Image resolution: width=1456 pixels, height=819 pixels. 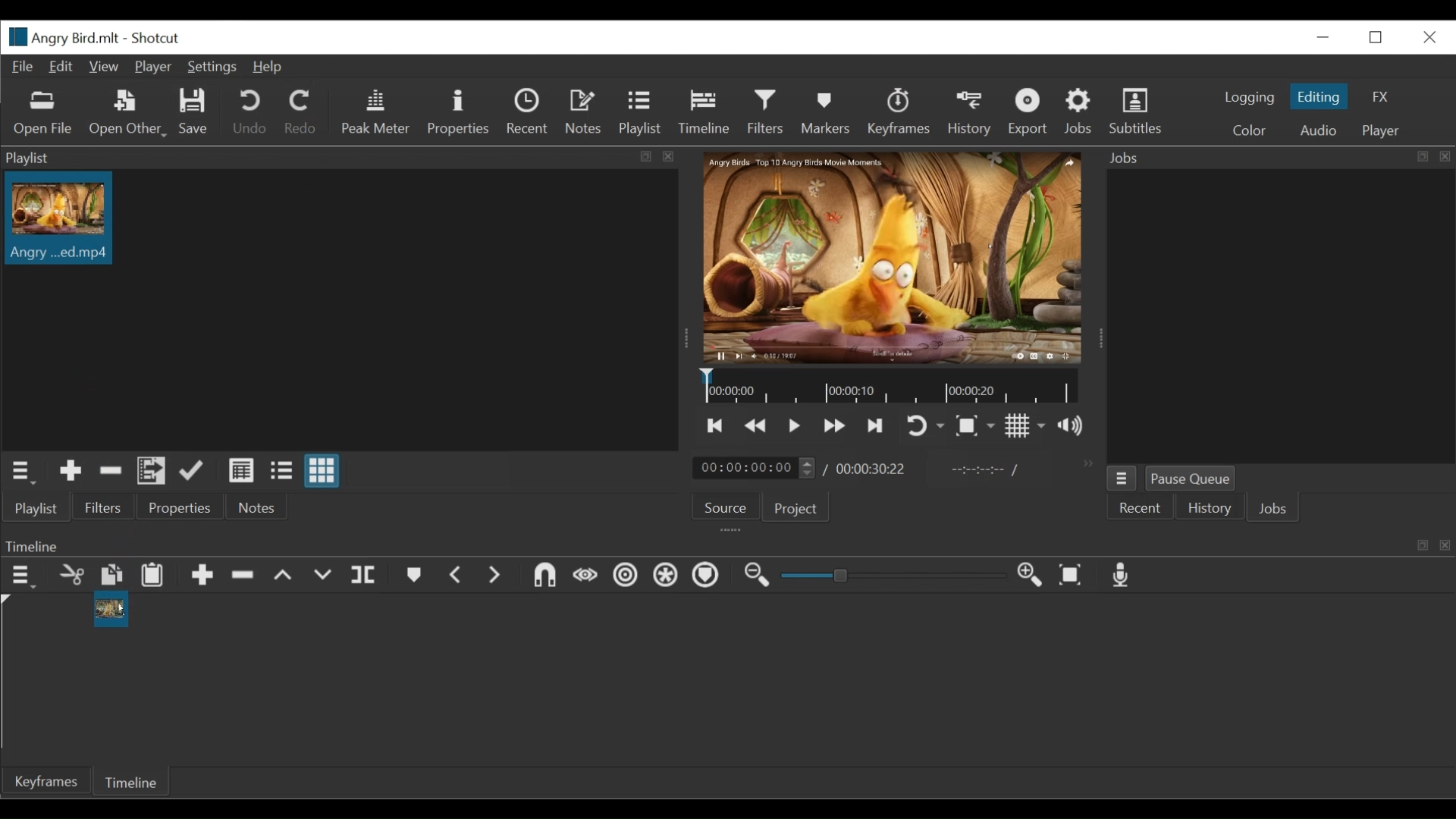 I want to click on Open Files, so click(x=45, y=114).